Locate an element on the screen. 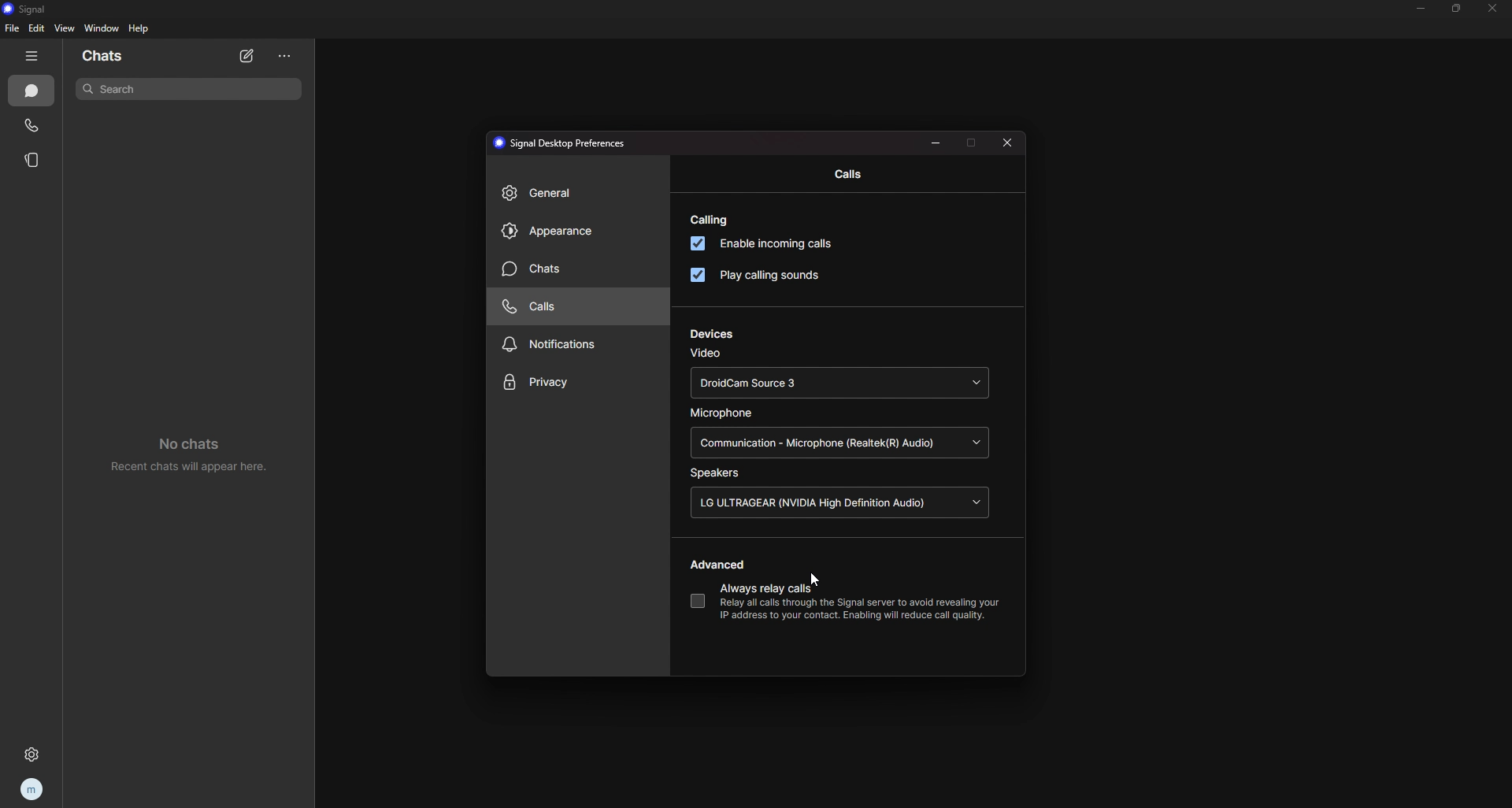  privacy is located at coordinates (576, 384).